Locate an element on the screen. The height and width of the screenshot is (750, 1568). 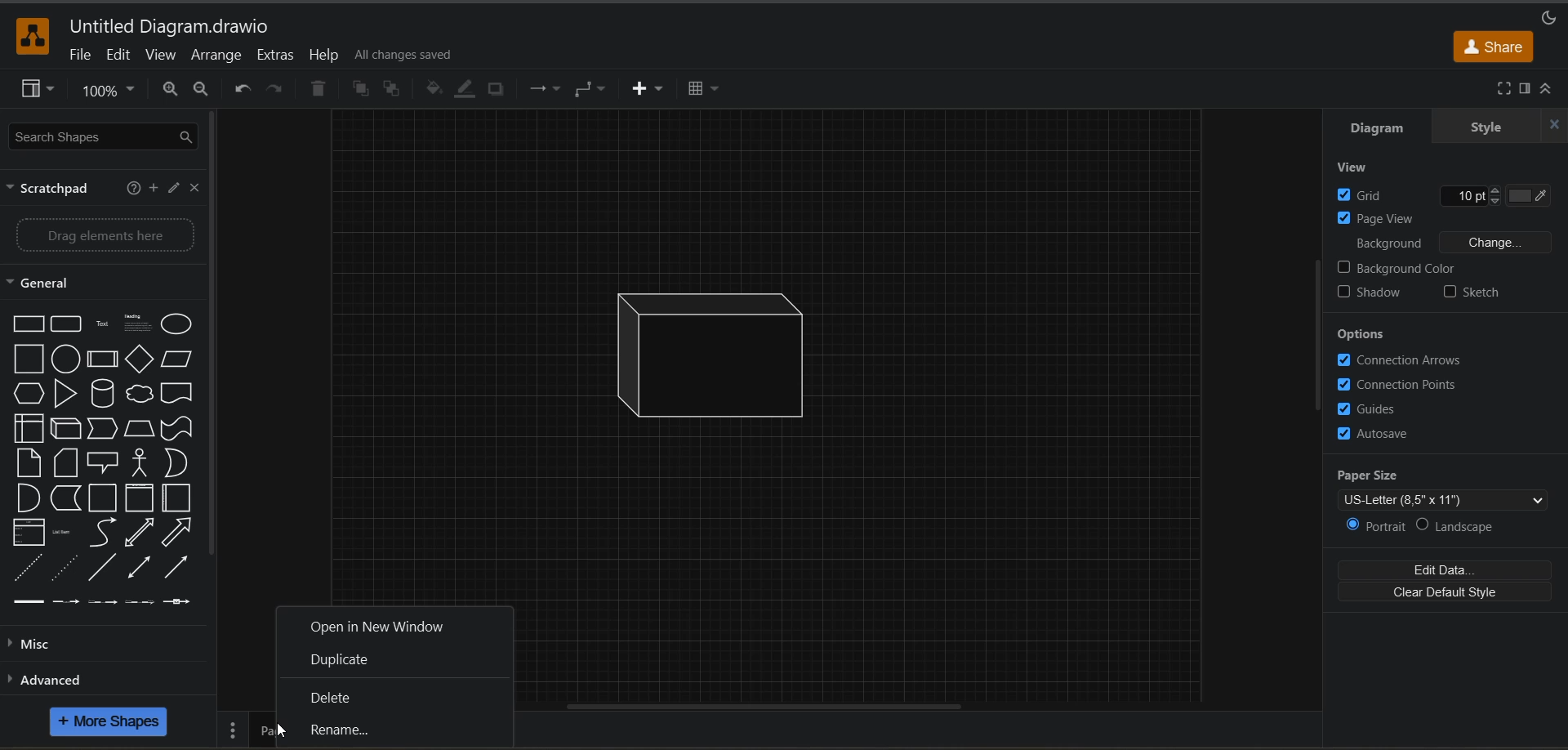
diagram is located at coordinates (1377, 130).